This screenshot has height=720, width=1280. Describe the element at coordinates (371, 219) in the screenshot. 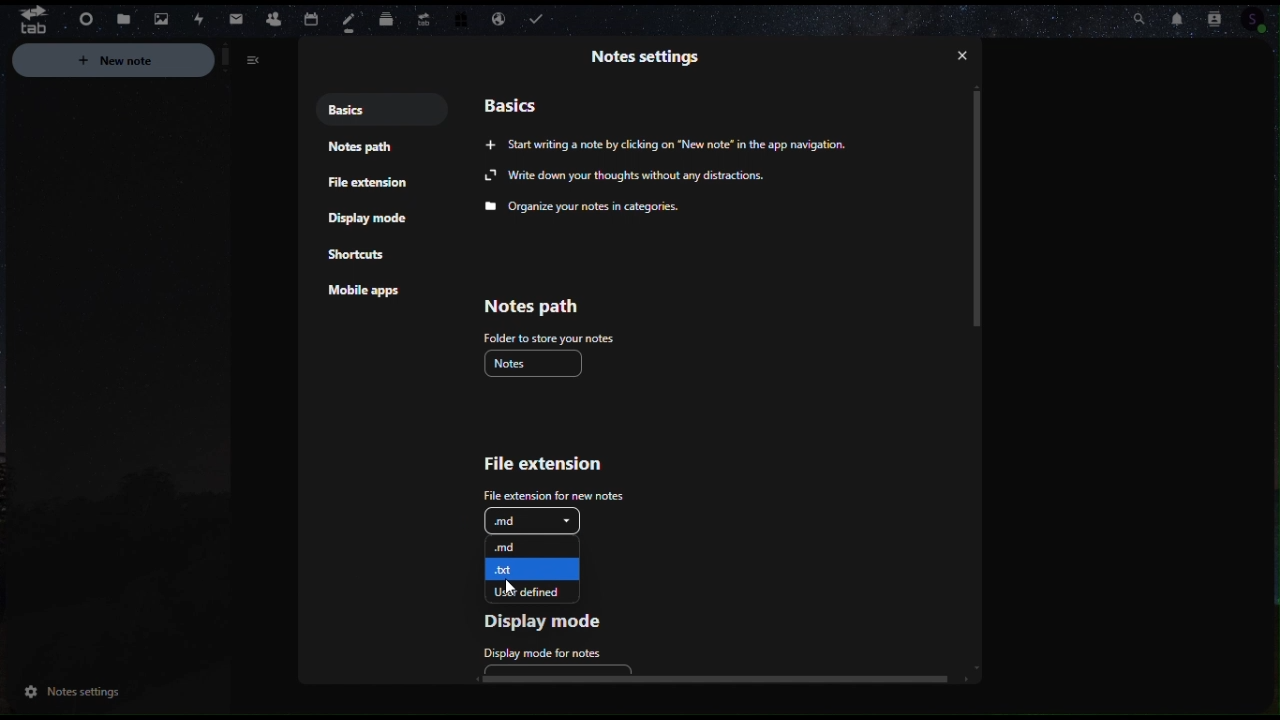

I see `Display mode` at that location.